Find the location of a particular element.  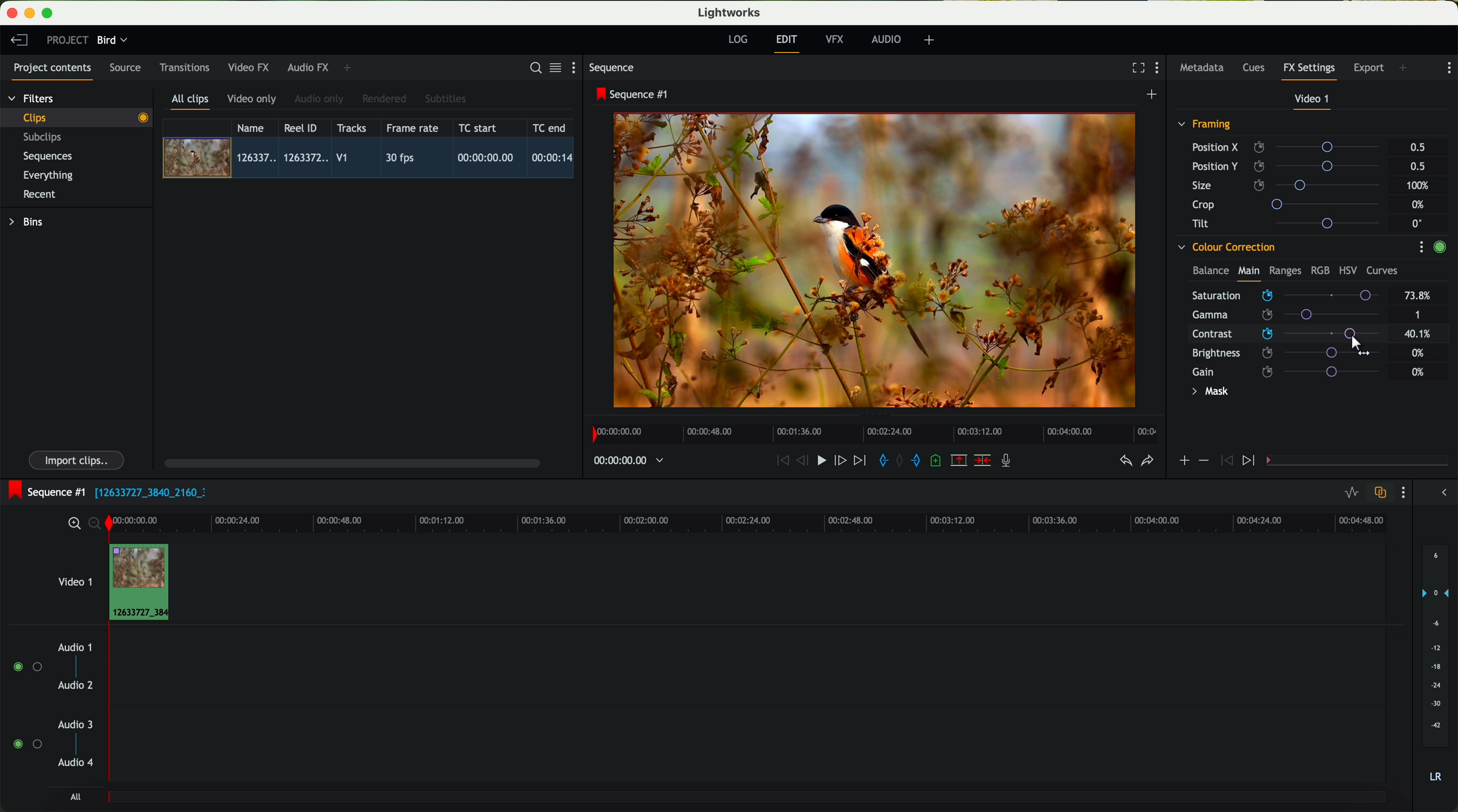

icon is located at coordinates (1225, 461).